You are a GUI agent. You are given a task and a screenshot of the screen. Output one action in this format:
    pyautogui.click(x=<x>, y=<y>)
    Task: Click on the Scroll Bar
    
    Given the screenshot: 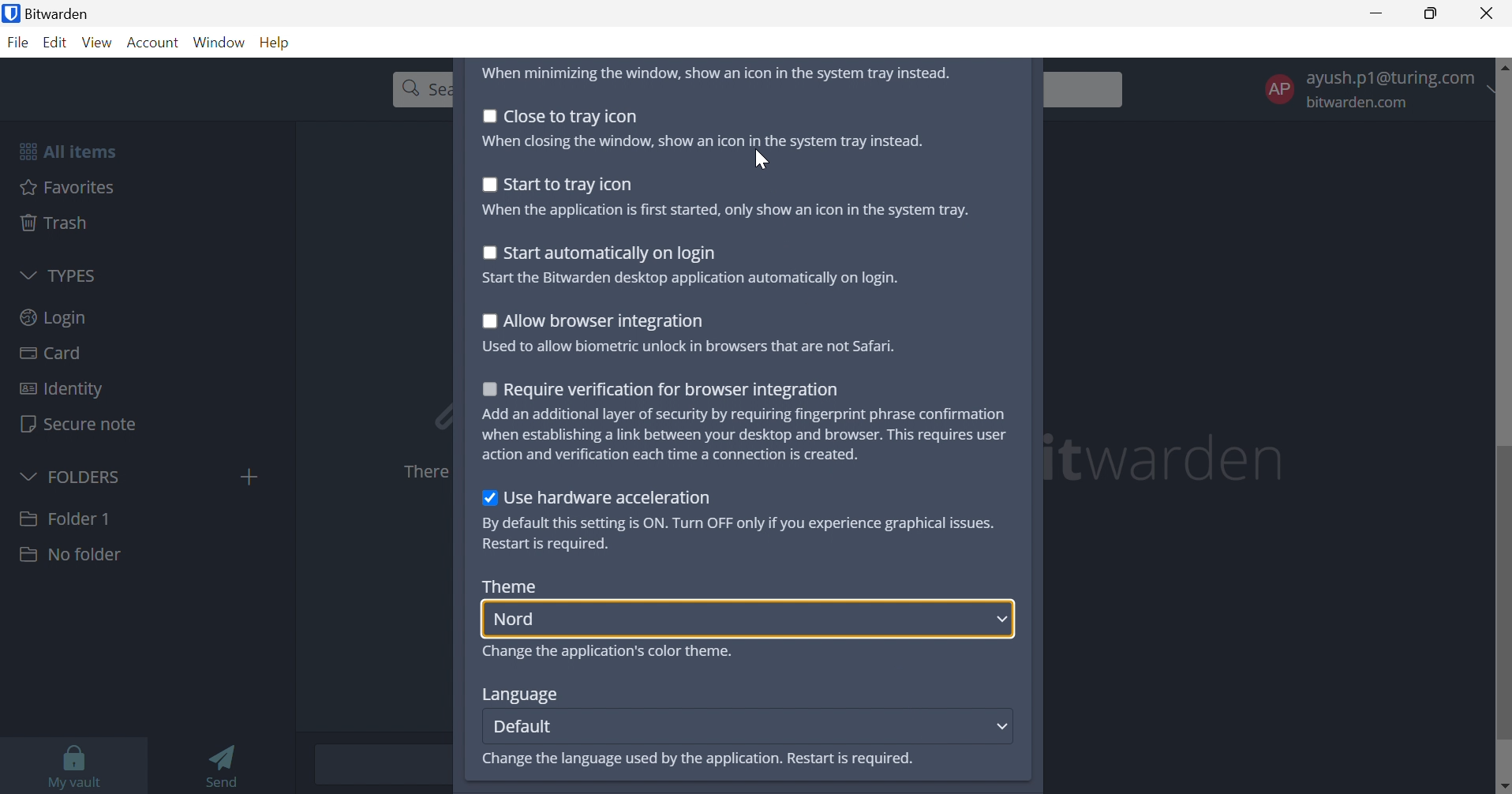 What is the action you would take?
    pyautogui.click(x=1503, y=424)
    